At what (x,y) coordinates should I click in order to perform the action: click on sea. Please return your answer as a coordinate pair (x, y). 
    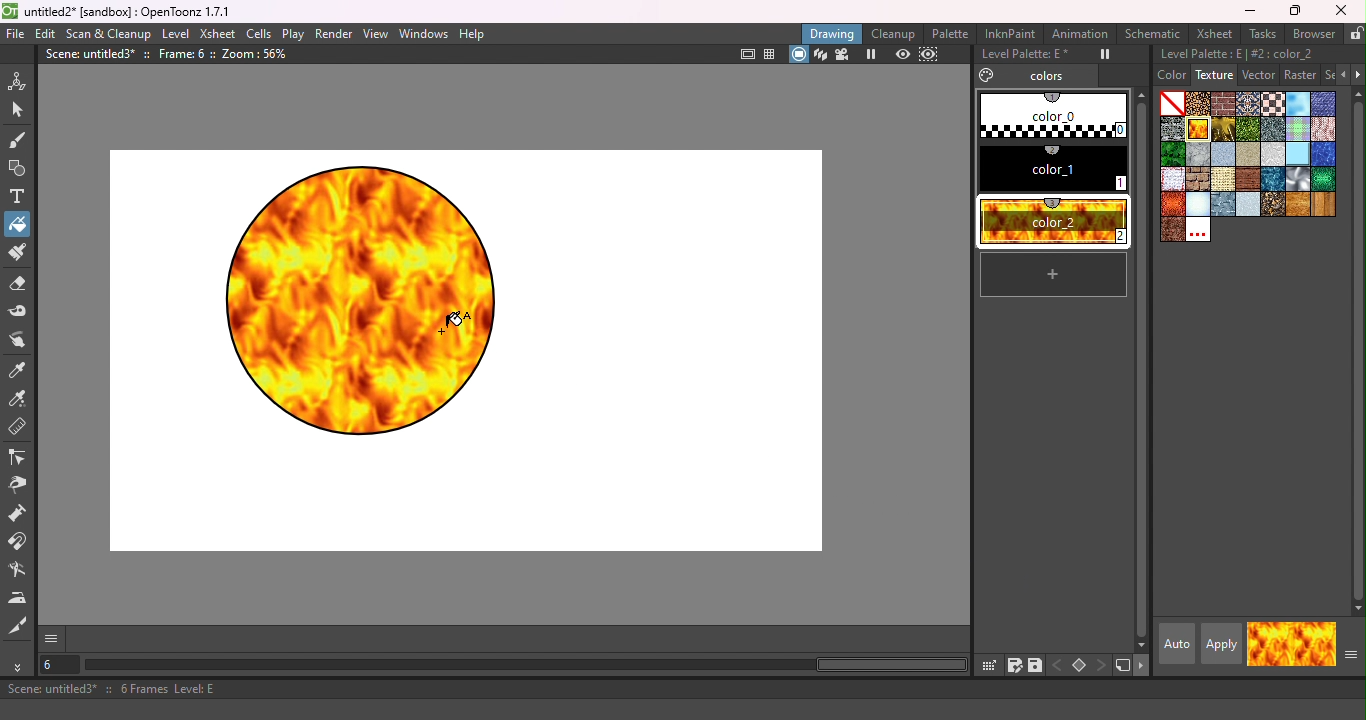
    Looking at the image, I should click on (1273, 179).